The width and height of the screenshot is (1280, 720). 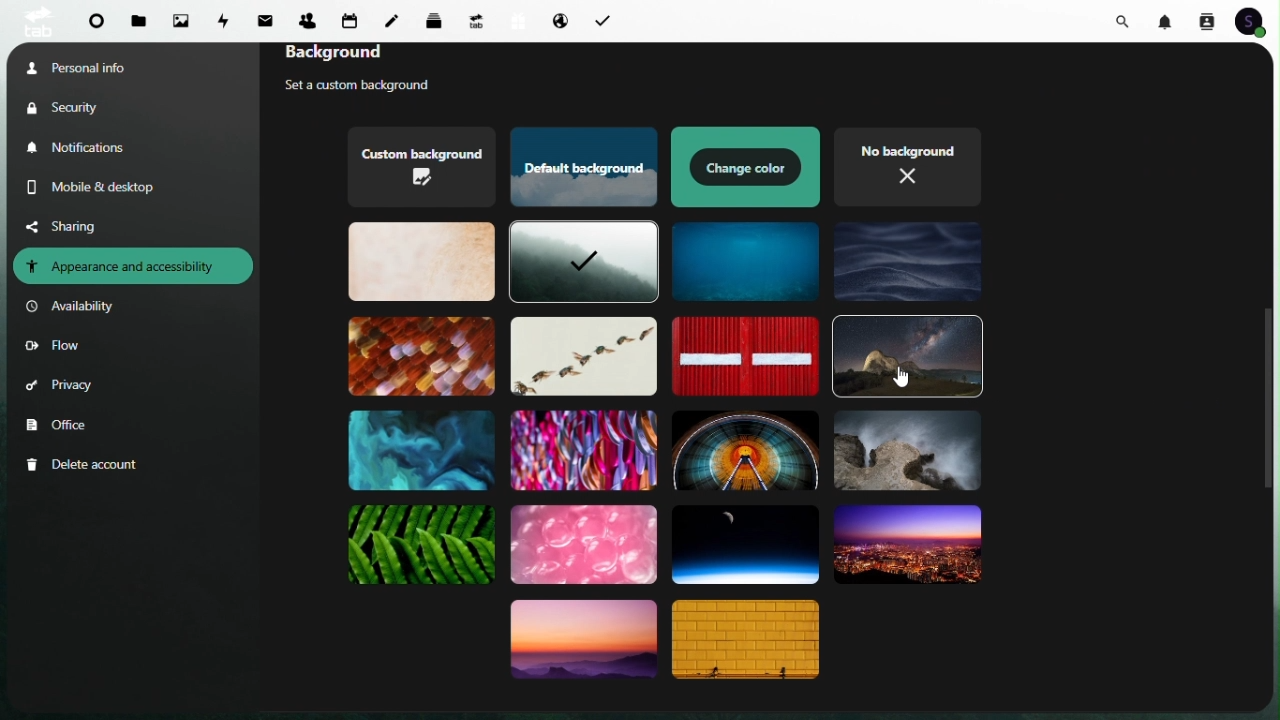 I want to click on Delete account, so click(x=86, y=465).